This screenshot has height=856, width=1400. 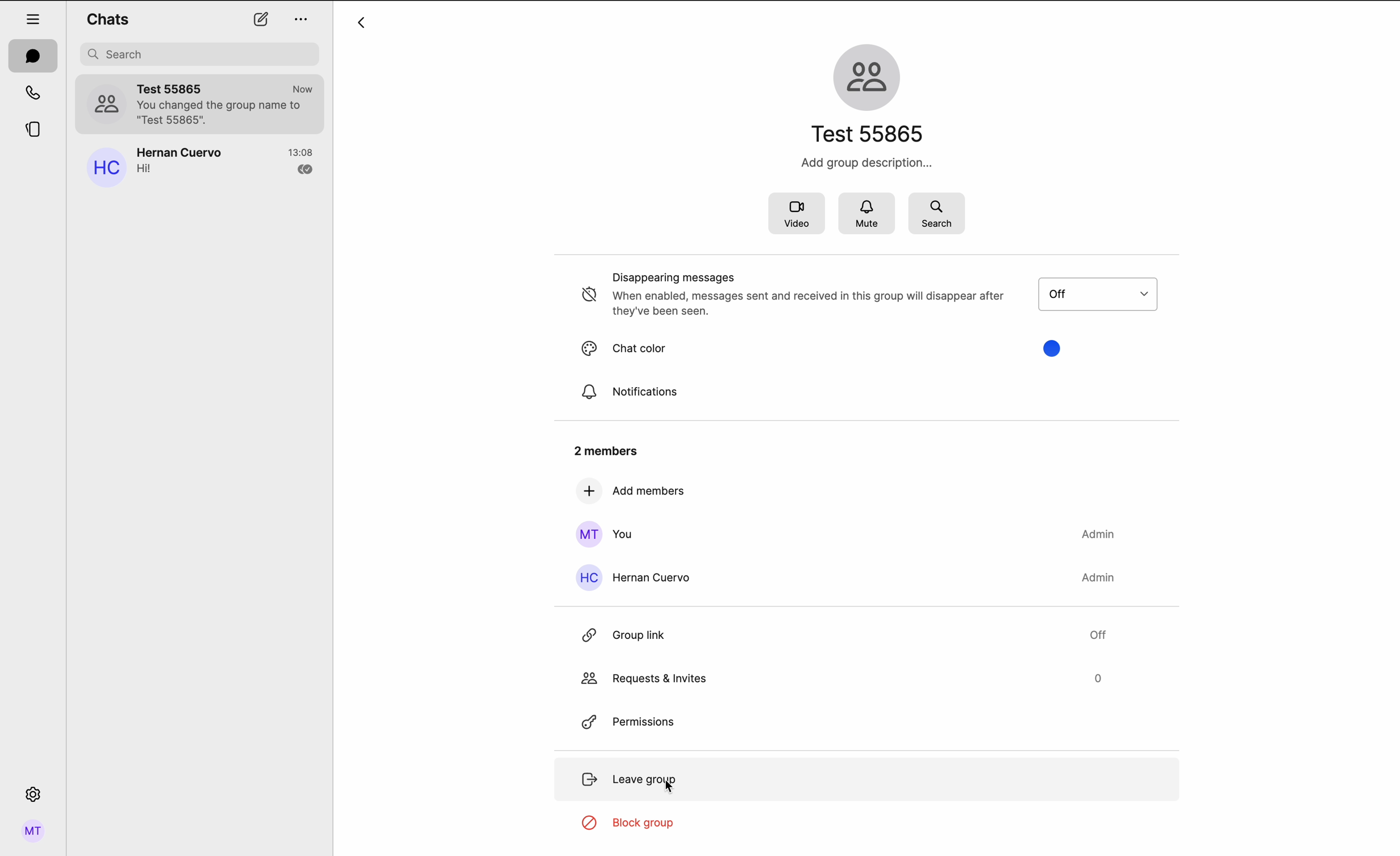 What do you see at coordinates (201, 54) in the screenshot?
I see `search bar` at bounding box center [201, 54].